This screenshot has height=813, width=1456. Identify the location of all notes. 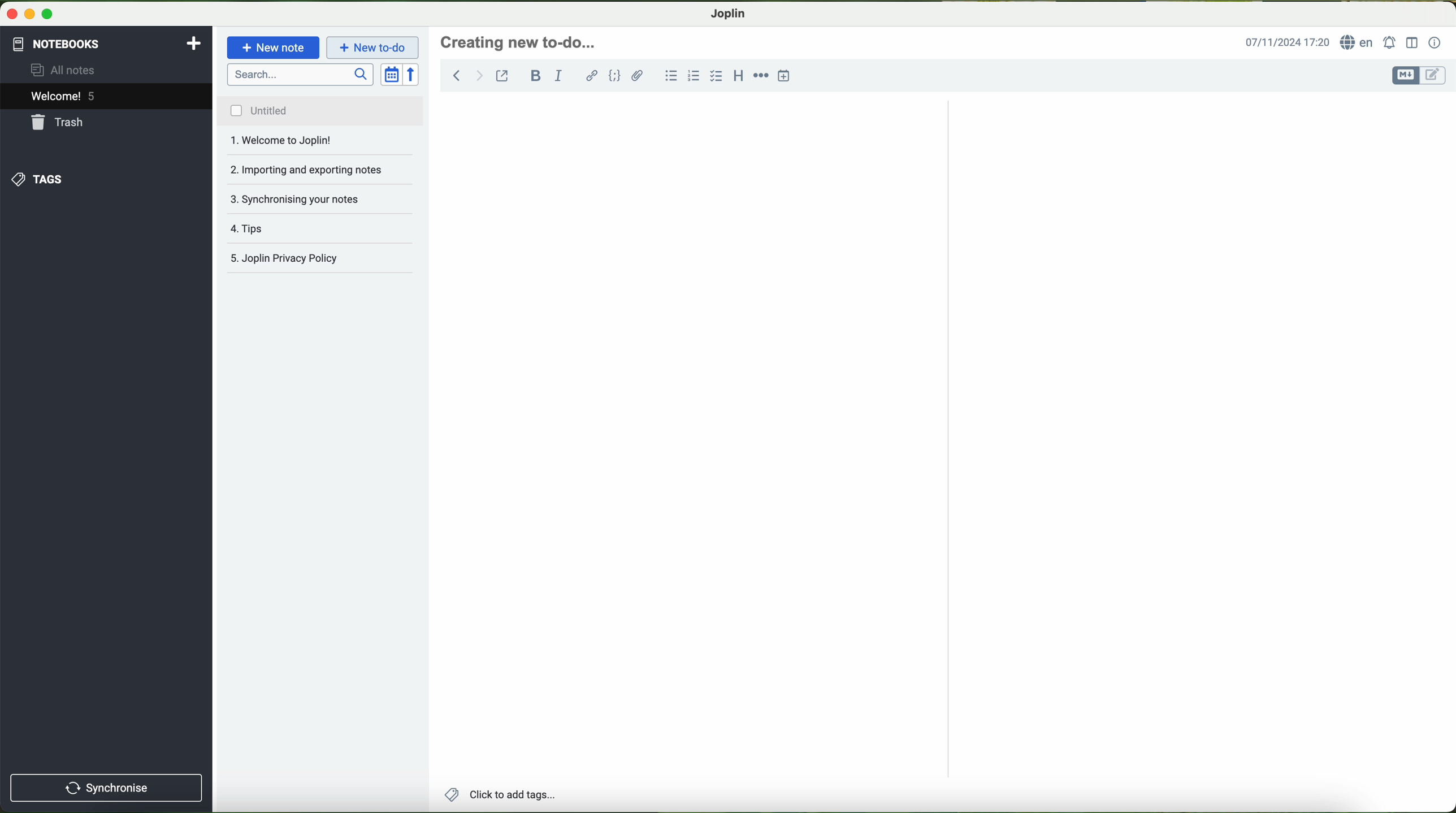
(66, 71).